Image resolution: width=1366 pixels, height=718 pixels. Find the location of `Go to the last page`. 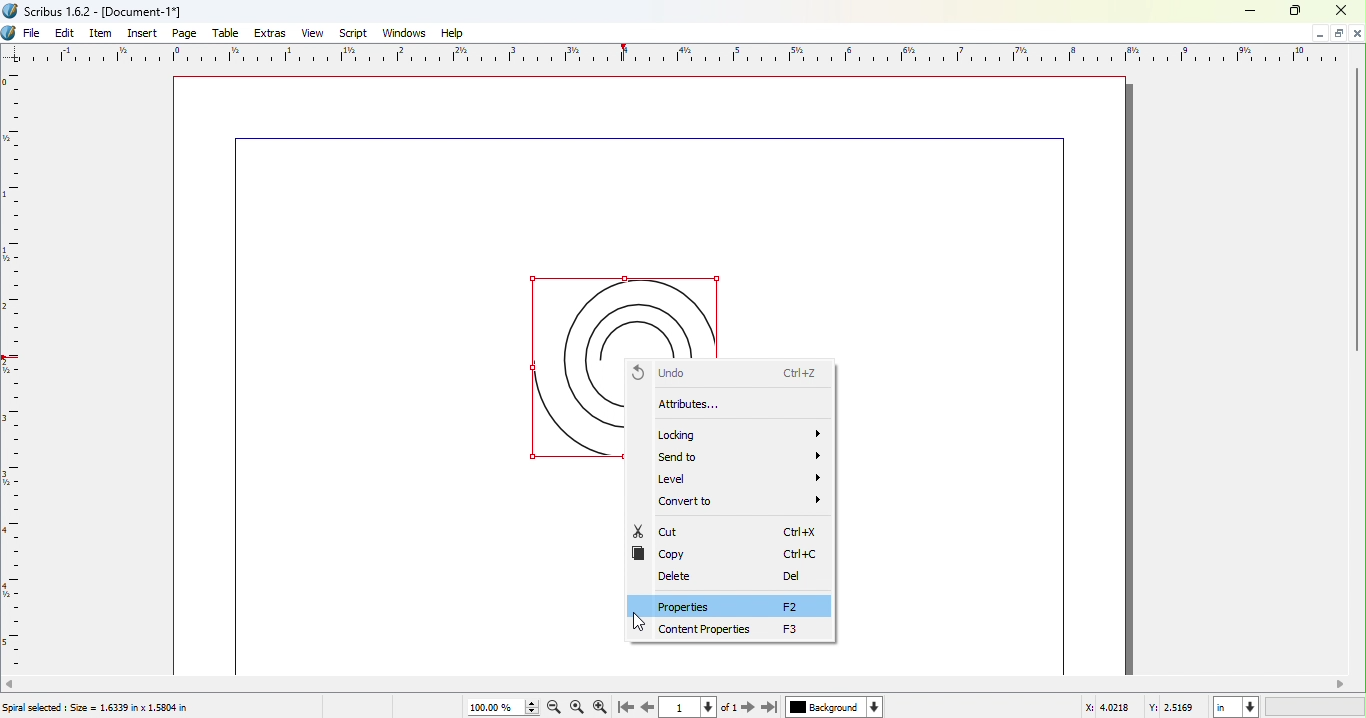

Go to the last page is located at coordinates (769, 707).